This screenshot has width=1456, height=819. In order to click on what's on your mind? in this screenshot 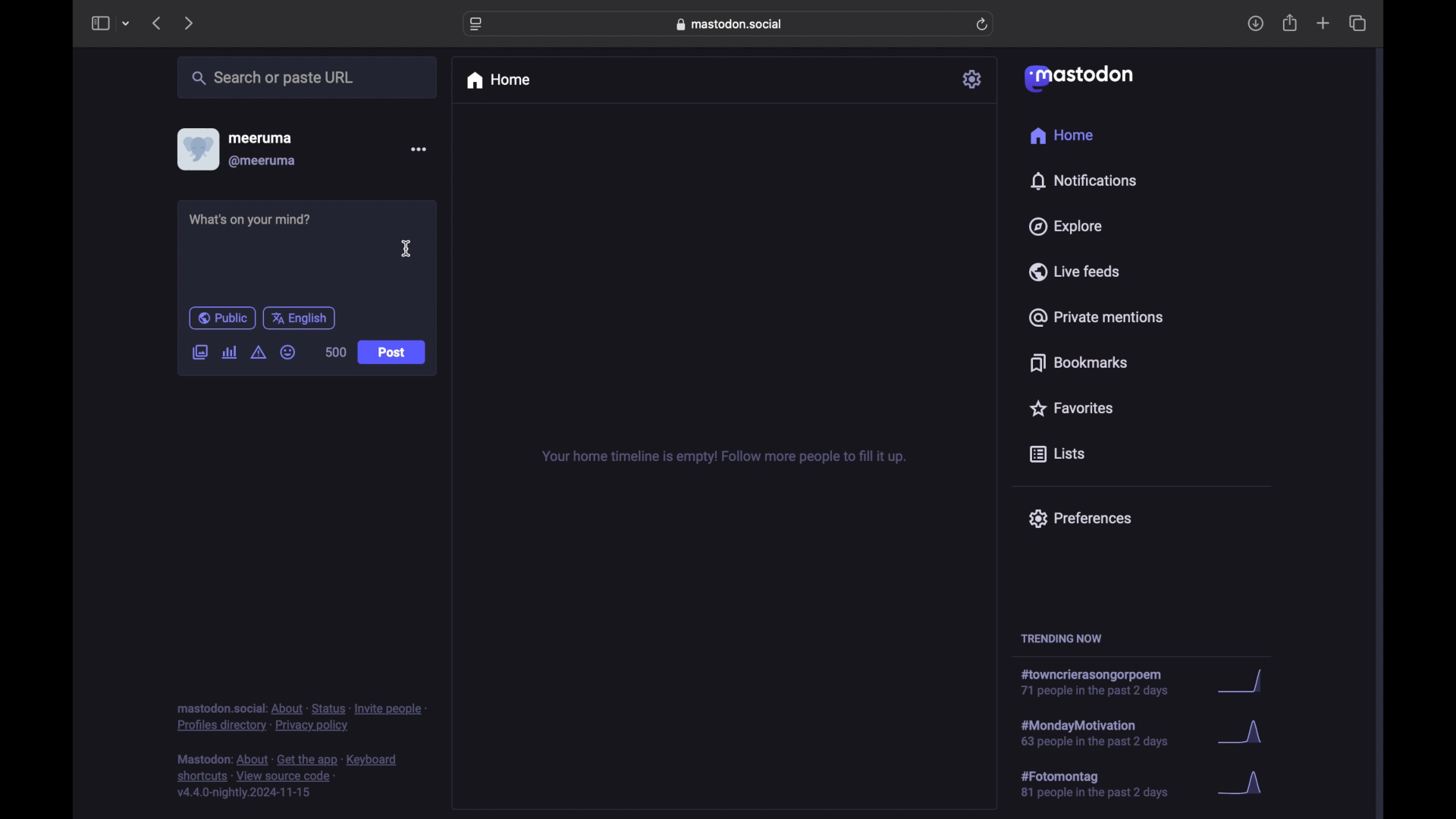, I will do `click(249, 219)`.